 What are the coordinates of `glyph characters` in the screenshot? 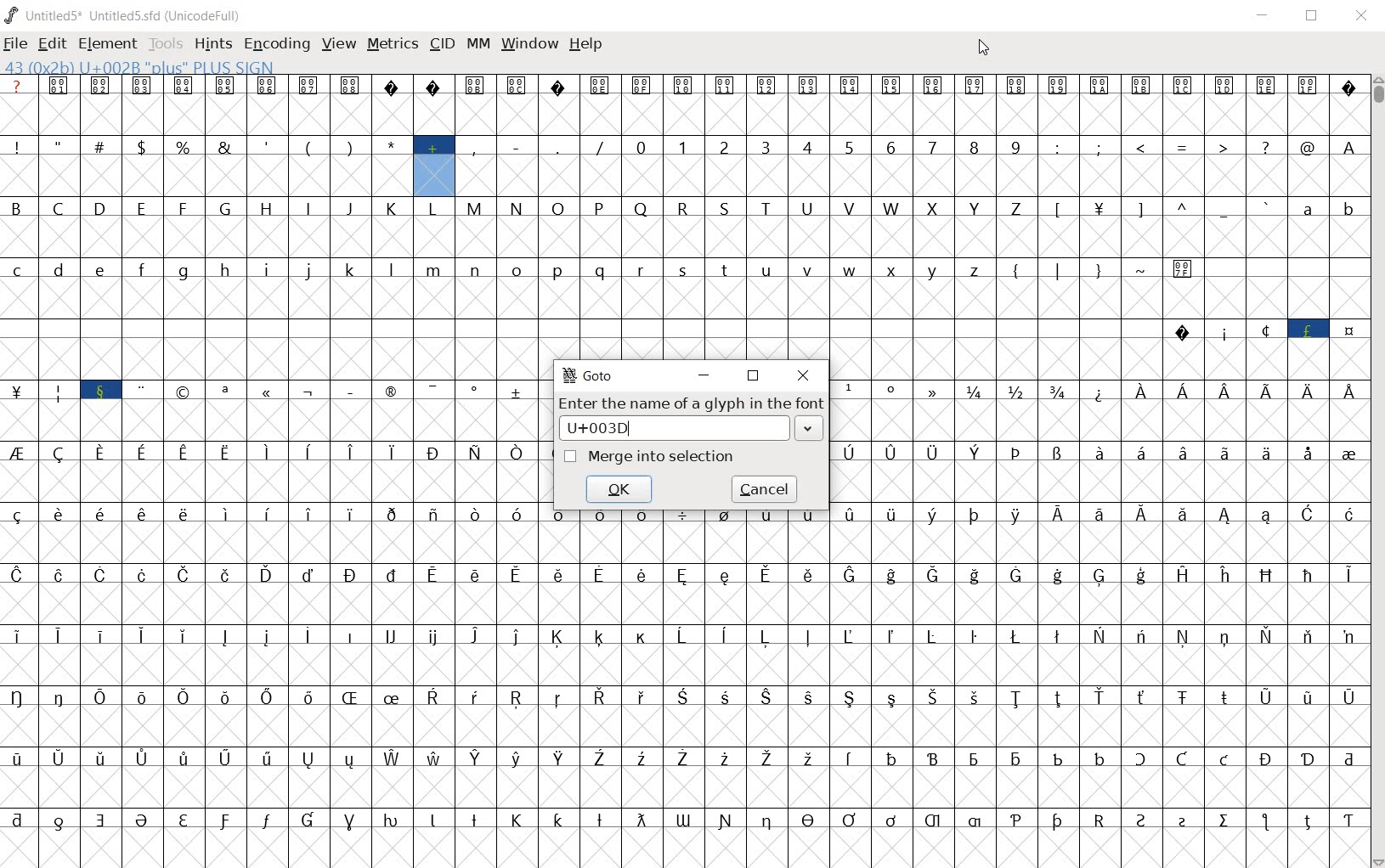 It's located at (971, 196).